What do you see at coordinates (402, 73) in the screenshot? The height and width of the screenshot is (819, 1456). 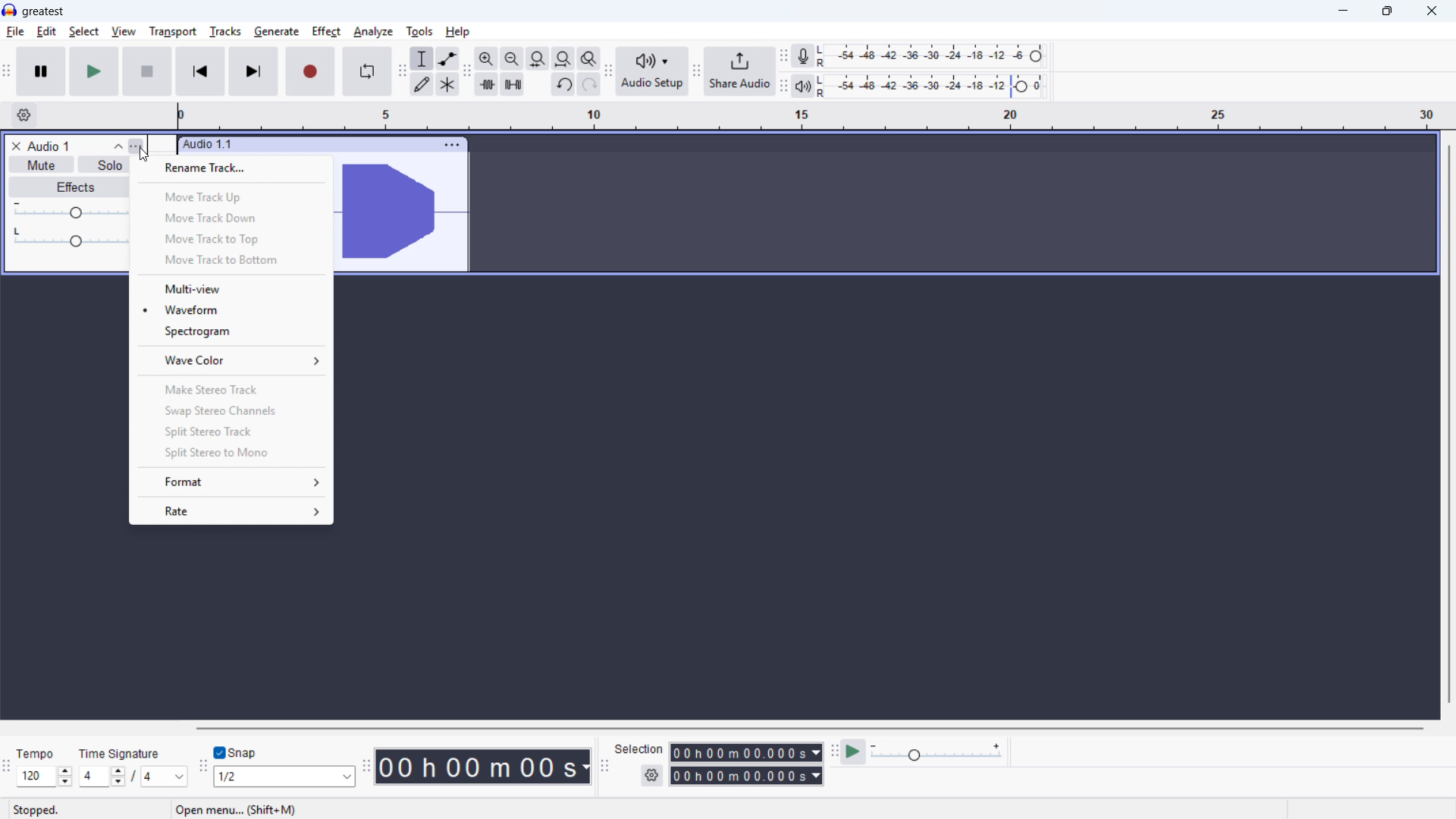 I see `tools toolbar` at bounding box center [402, 73].